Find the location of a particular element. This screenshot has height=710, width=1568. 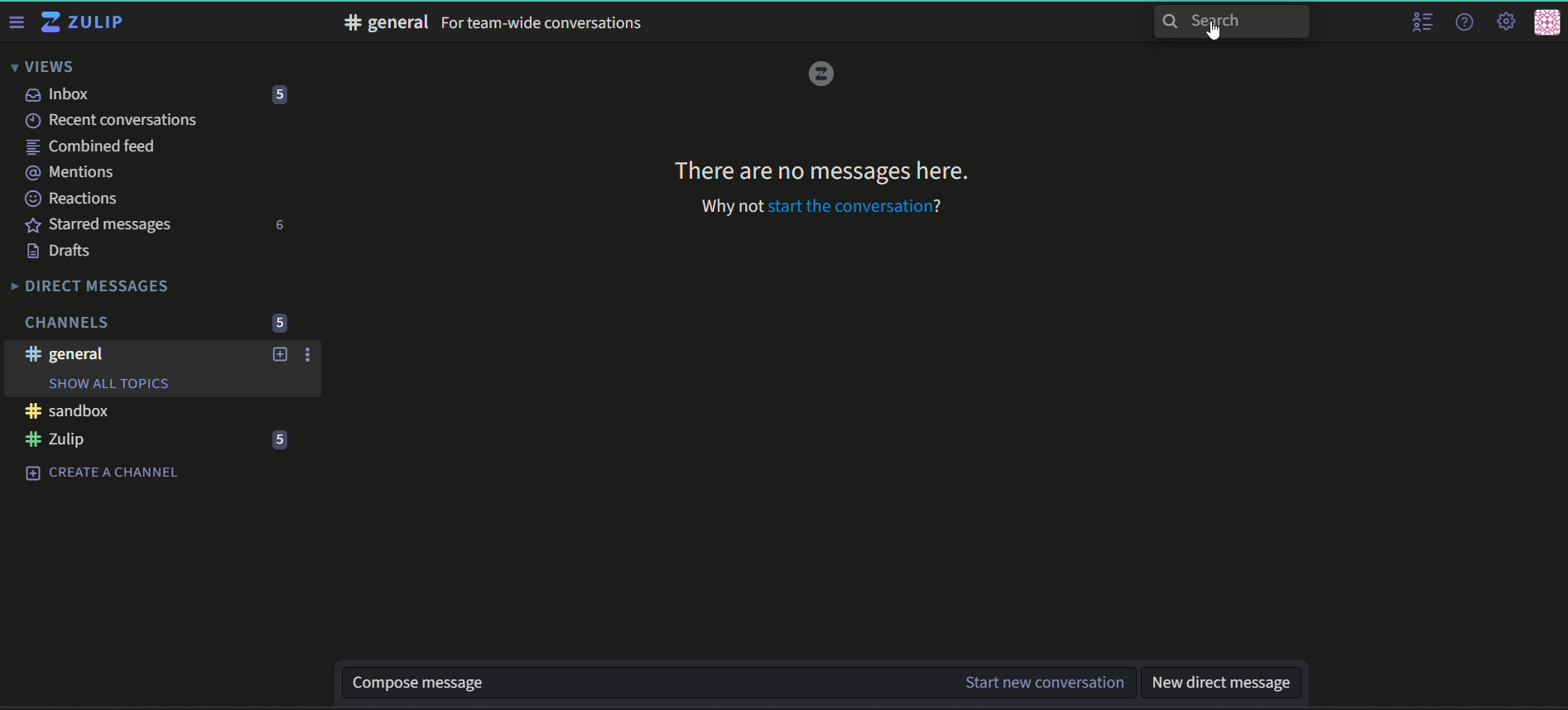

user list is located at coordinates (1421, 22).